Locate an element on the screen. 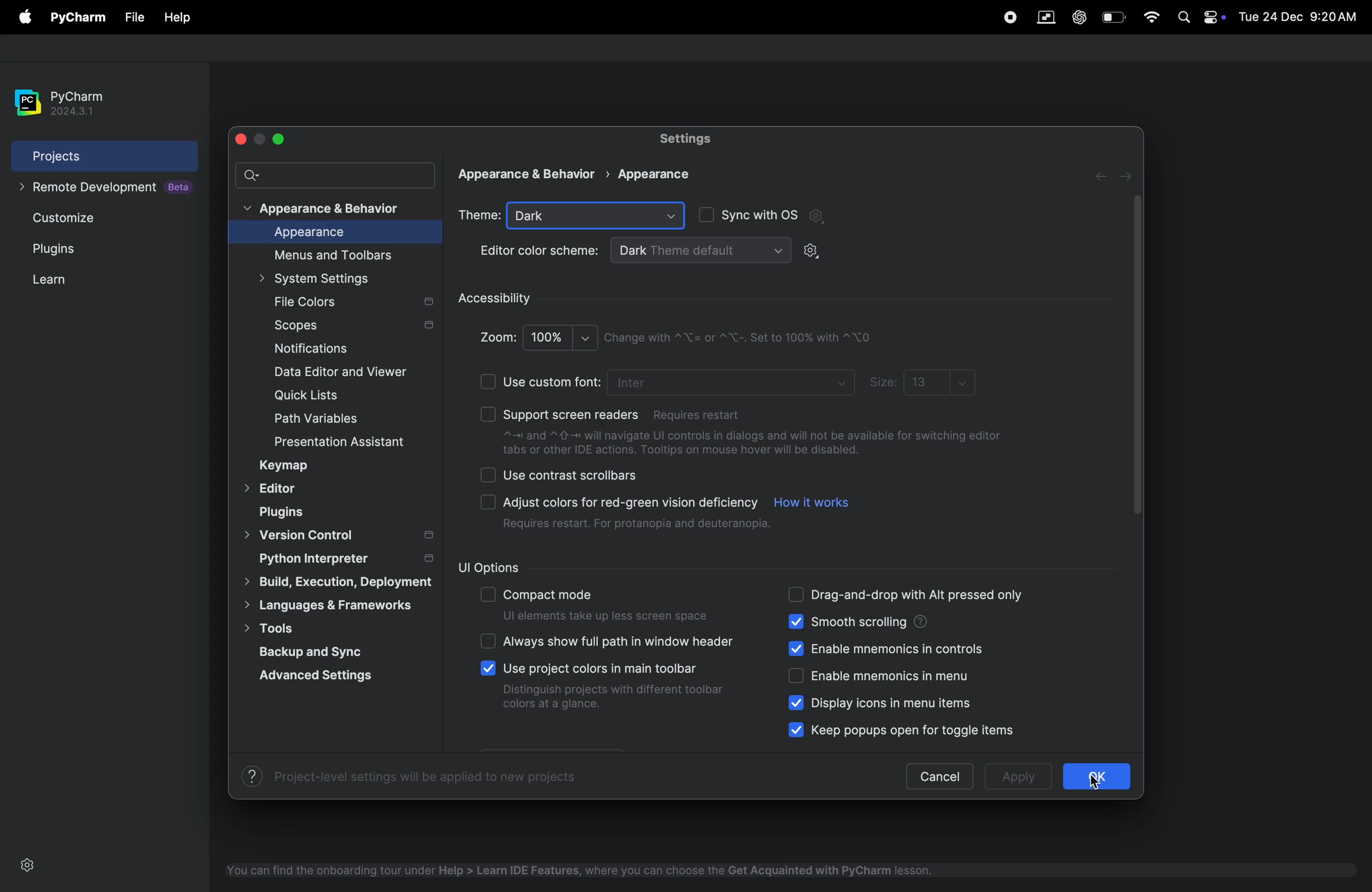 This screenshot has height=892, width=1372. settings is located at coordinates (812, 252).